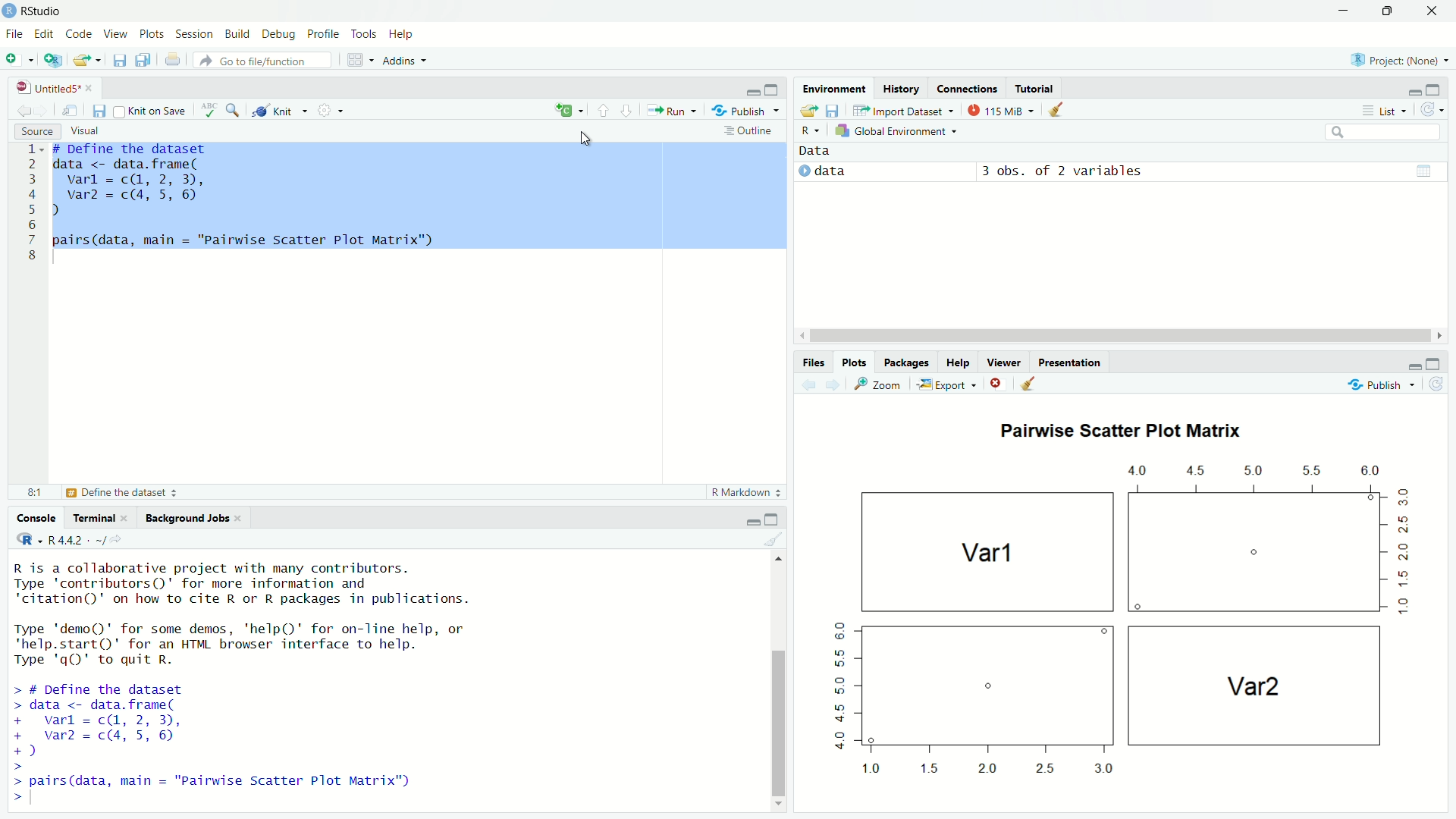 Image resolution: width=1456 pixels, height=819 pixels. Describe the element at coordinates (143, 58) in the screenshot. I see `Save all open documents (Ctrl + Alt + S)` at that location.